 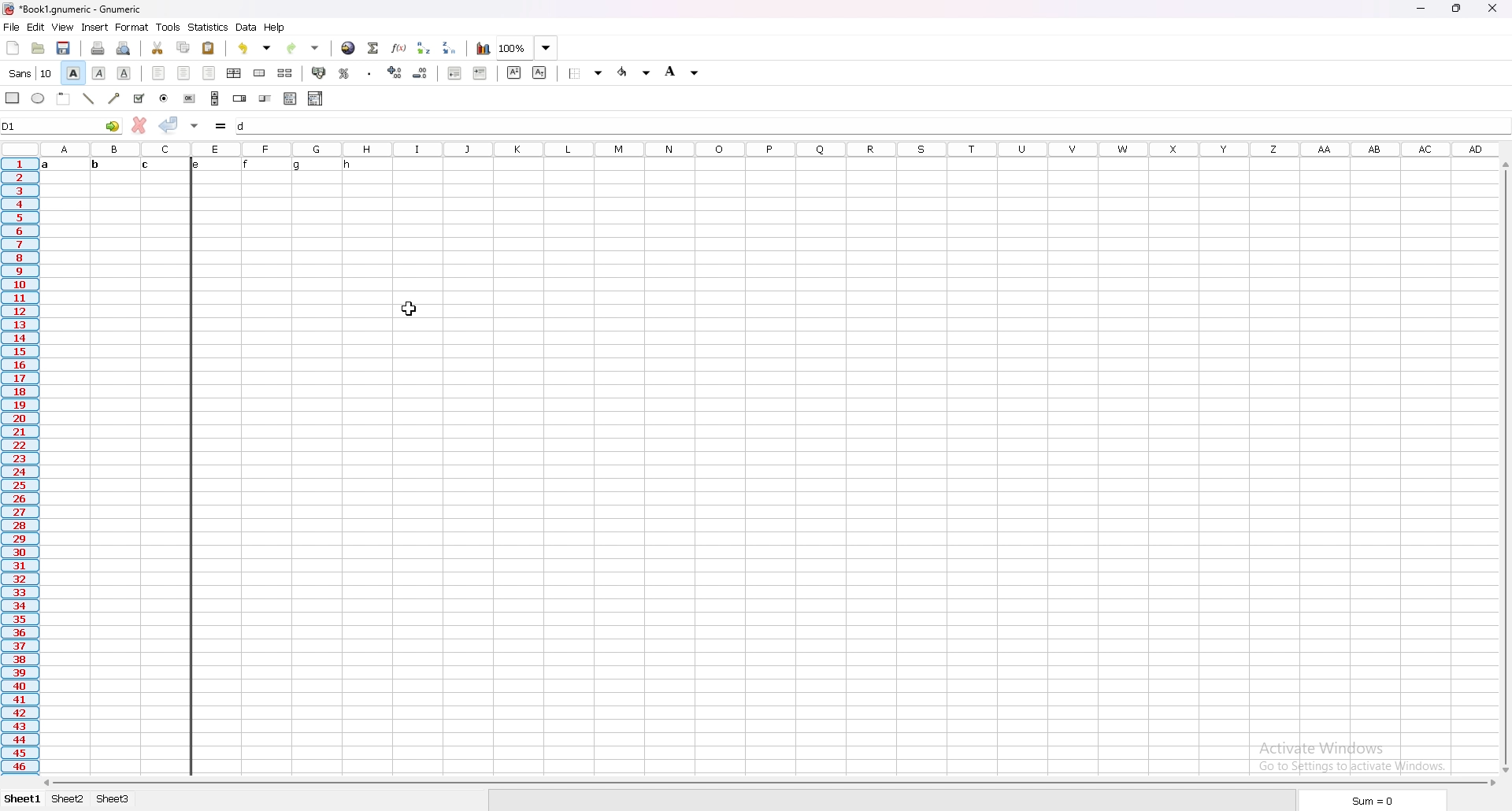 I want to click on undo, so click(x=255, y=48).